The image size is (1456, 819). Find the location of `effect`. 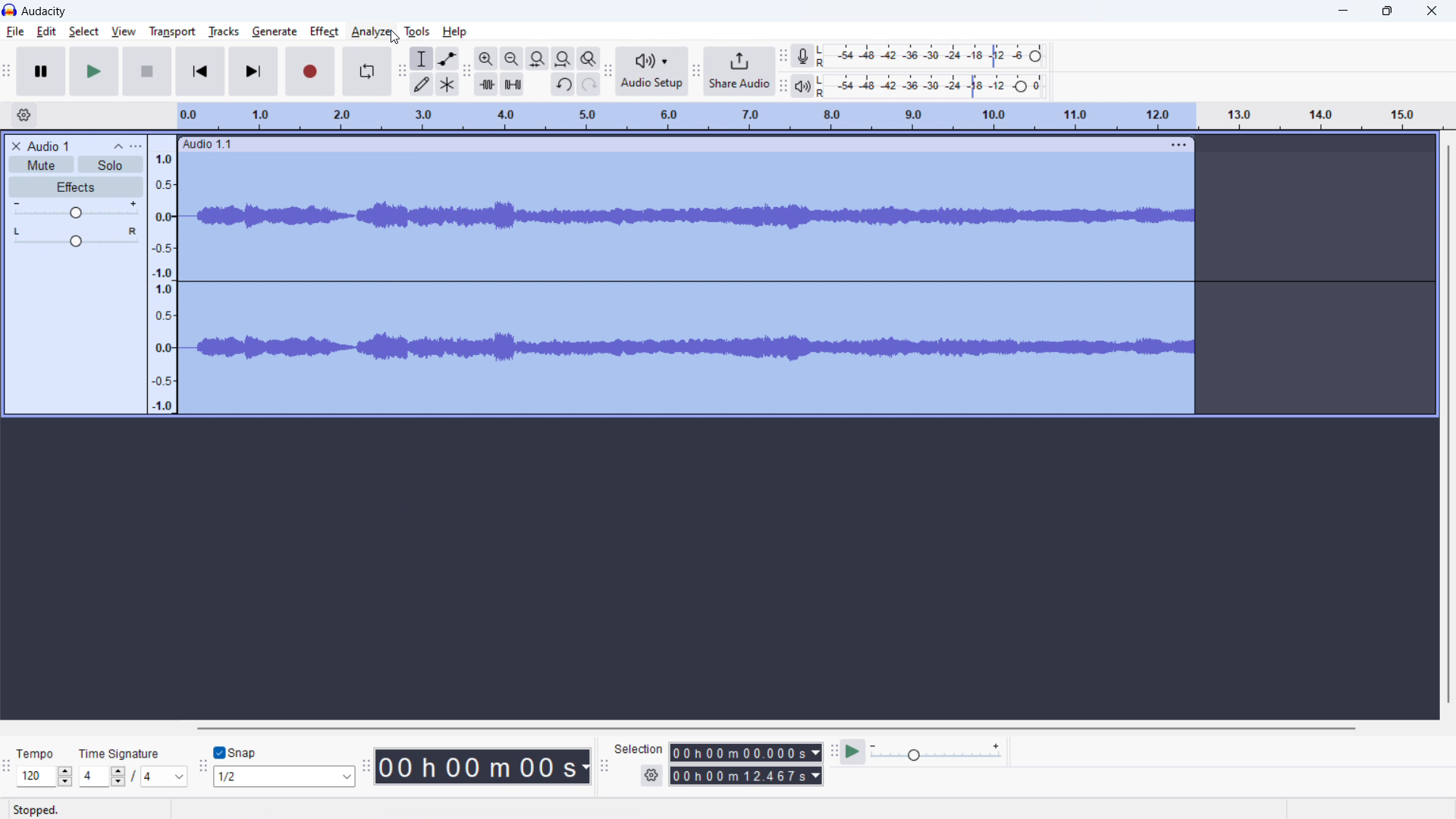

effect is located at coordinates (325, 32).